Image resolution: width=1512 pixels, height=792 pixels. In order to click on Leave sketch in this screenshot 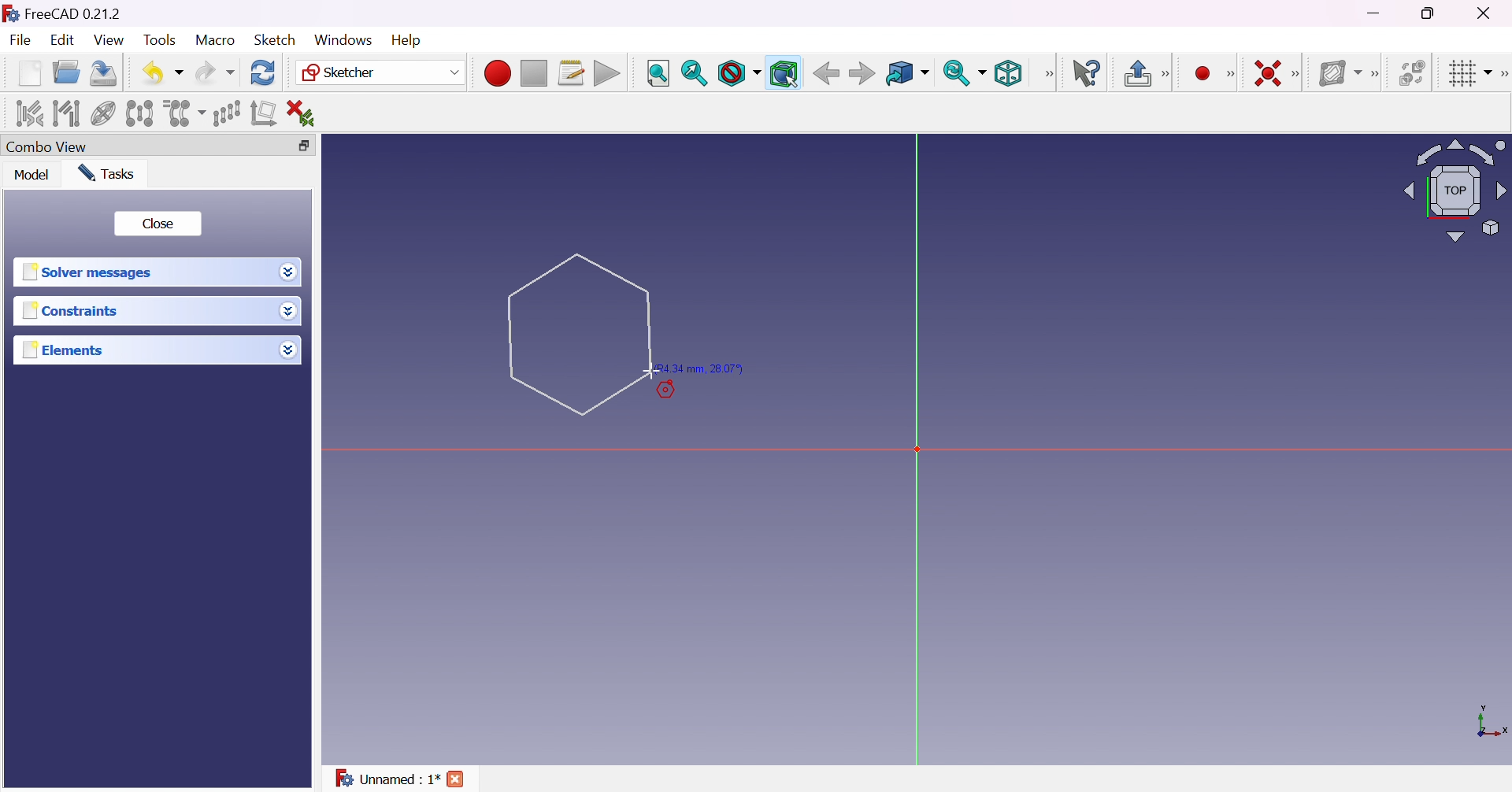, I will do `click(1136, 73)`.